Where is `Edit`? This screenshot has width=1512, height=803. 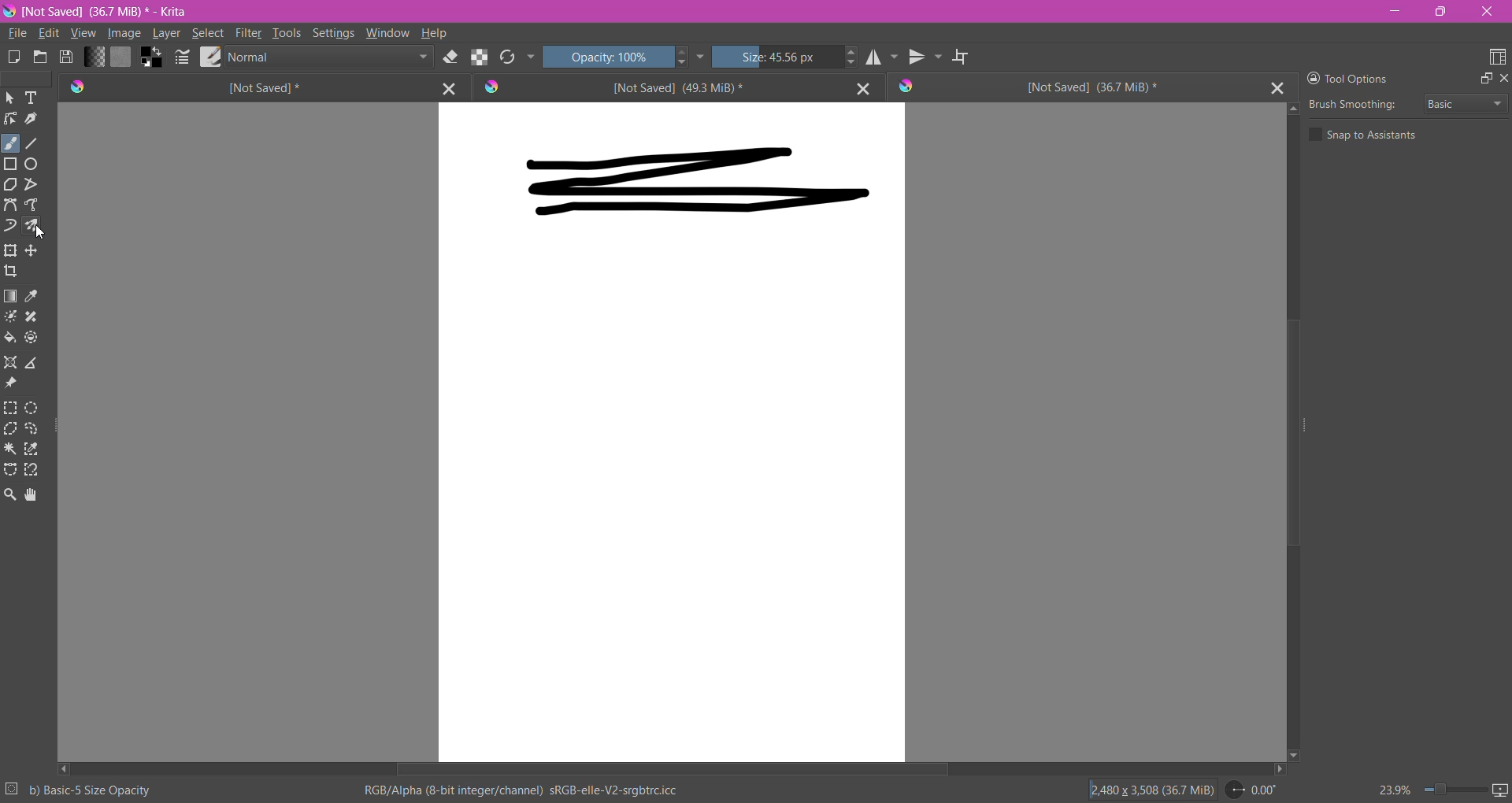
Edit is located at coordinates (48, 33).